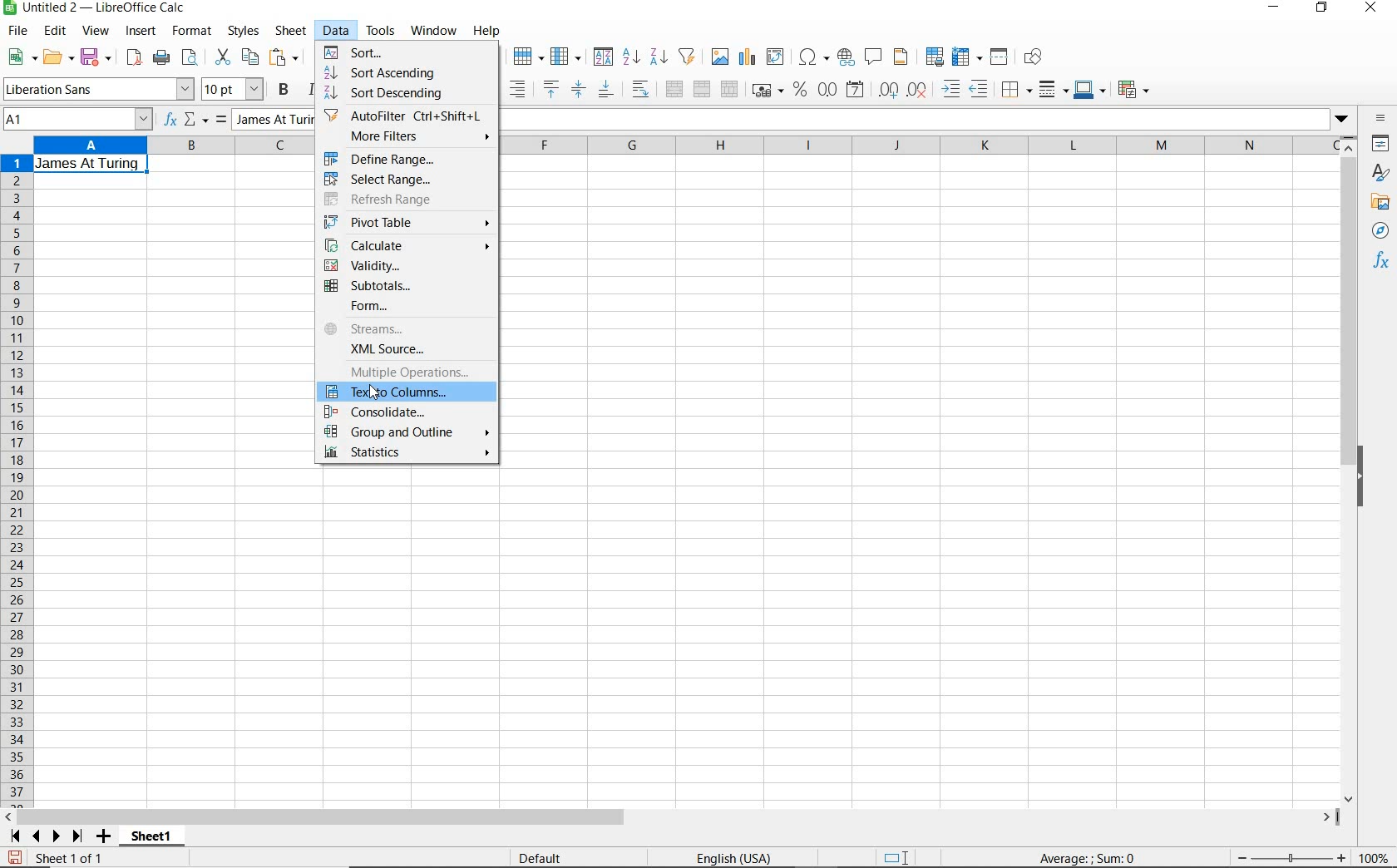  What do you see at coordinates (405, 435) in the screenshot?
I see `group and outline` at bounding box center [405, 435].